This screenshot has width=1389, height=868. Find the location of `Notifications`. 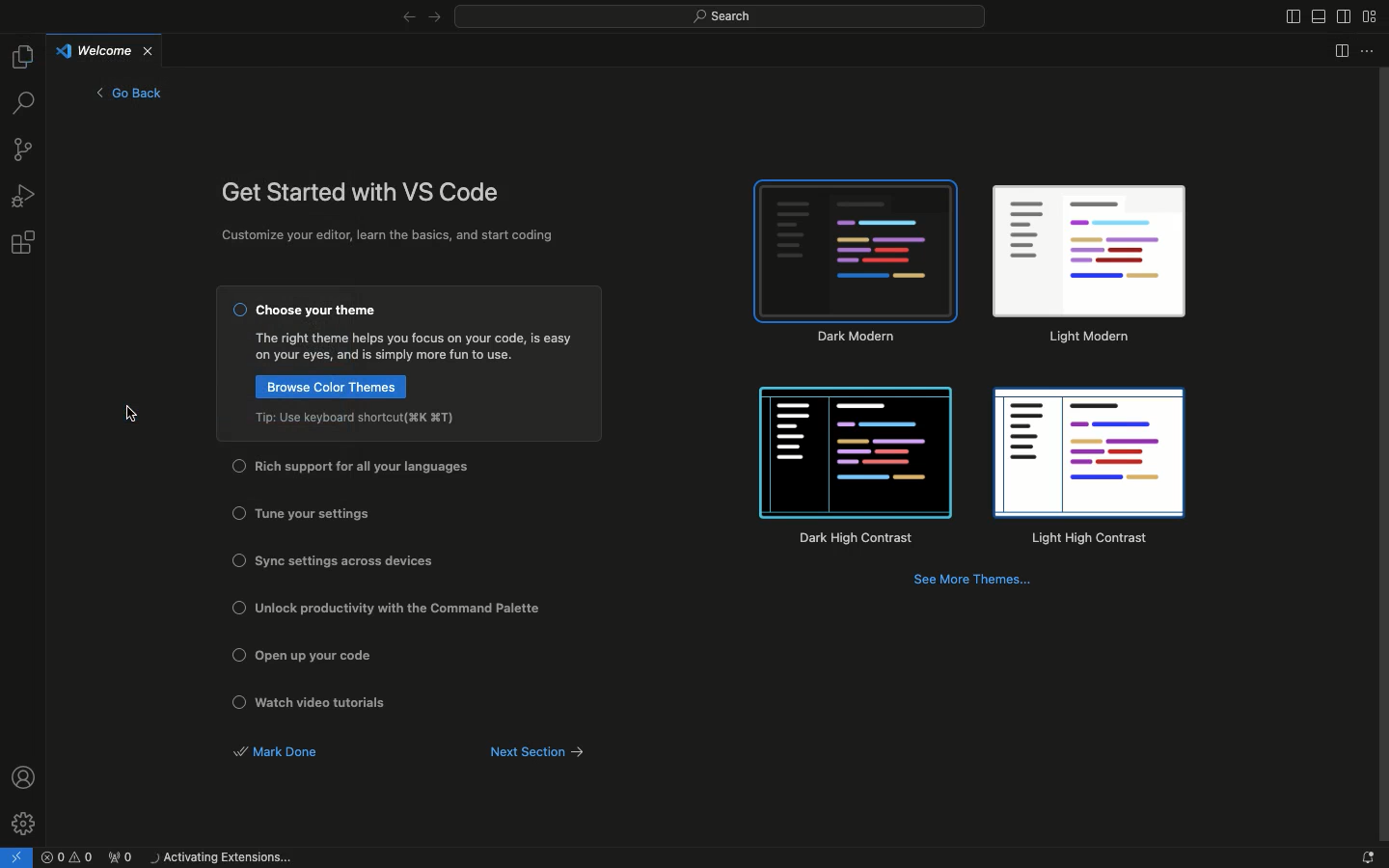

Notifications is located at coordinates (1365, 857).